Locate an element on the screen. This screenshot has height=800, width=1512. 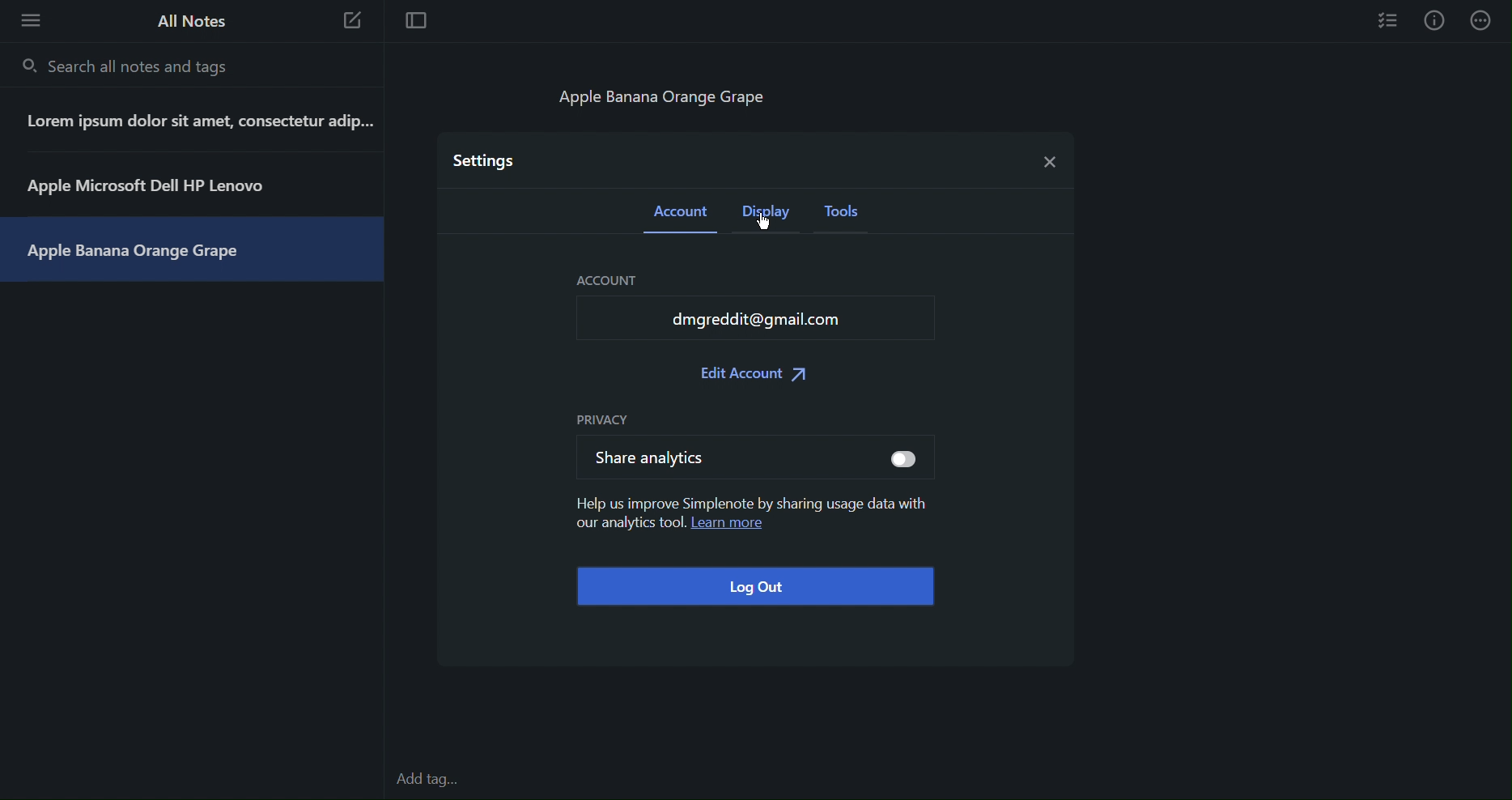
Share Analytics is located at coordinates (685, 456).